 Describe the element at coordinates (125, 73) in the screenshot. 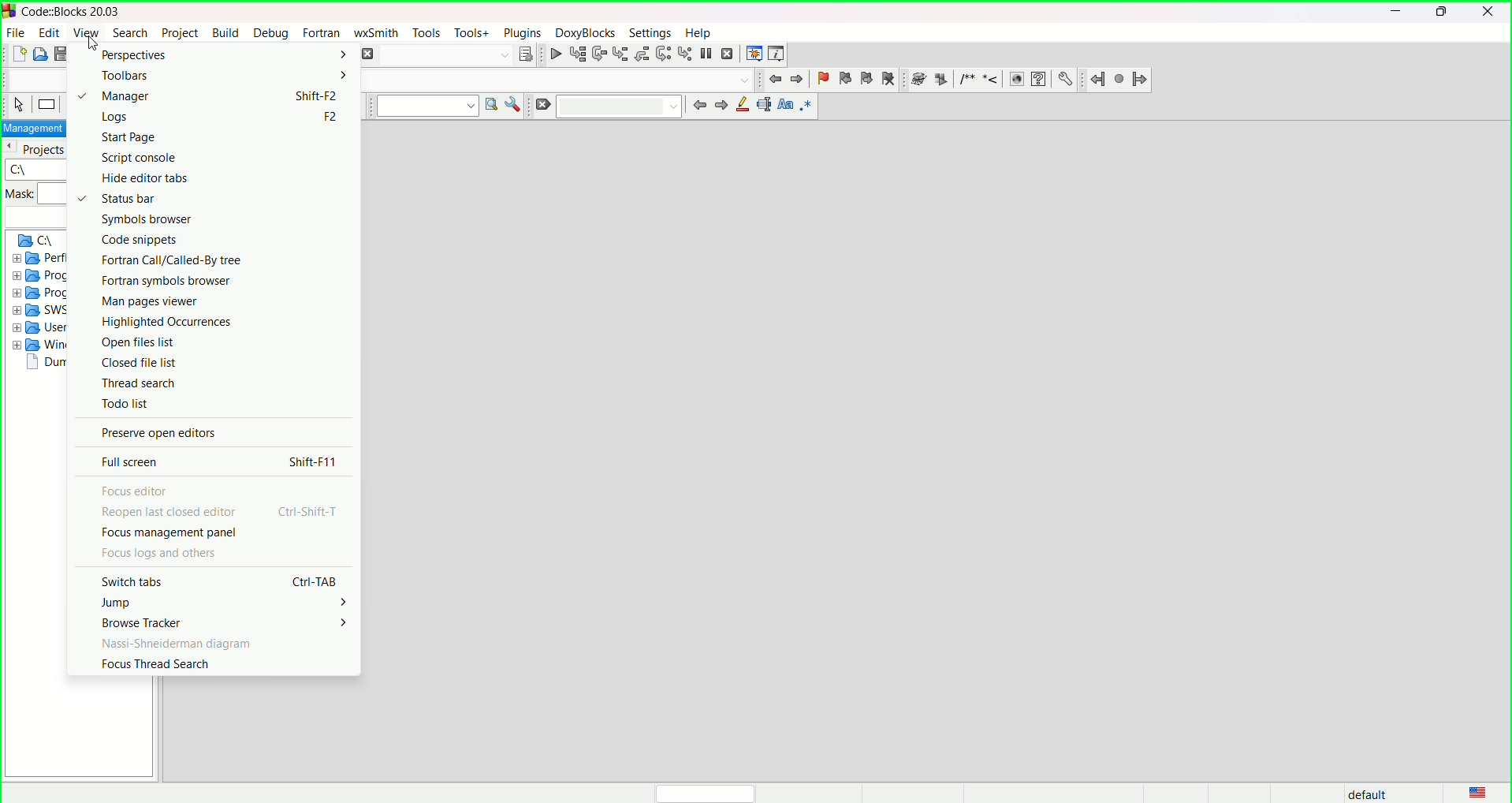

I see `toolbars` at that location.